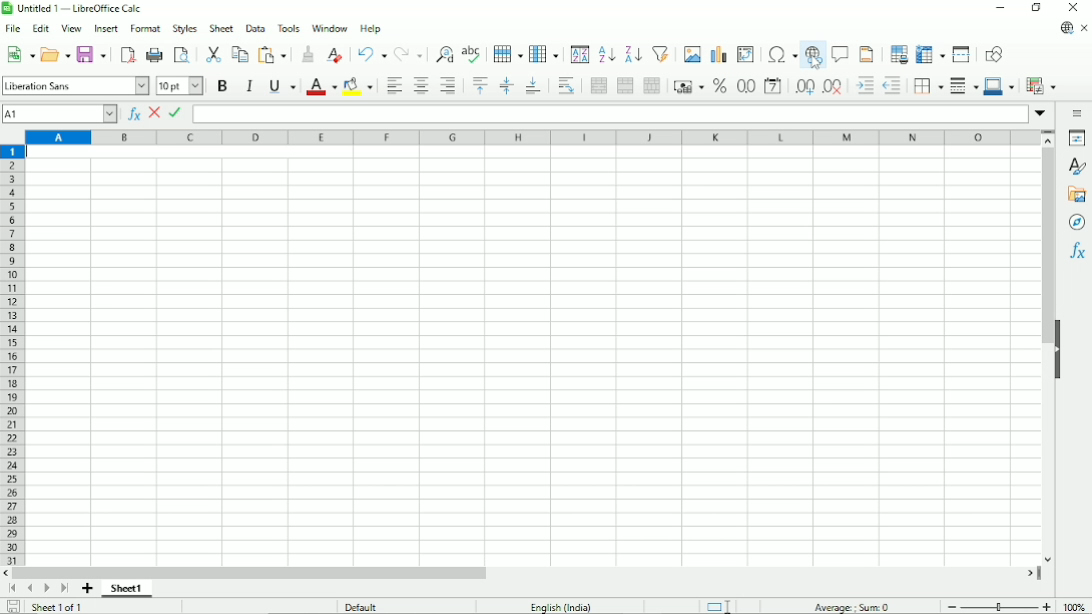 The height and width of the screenshot is (614, 1092). I want to click on Update available, so click(1067, 28).